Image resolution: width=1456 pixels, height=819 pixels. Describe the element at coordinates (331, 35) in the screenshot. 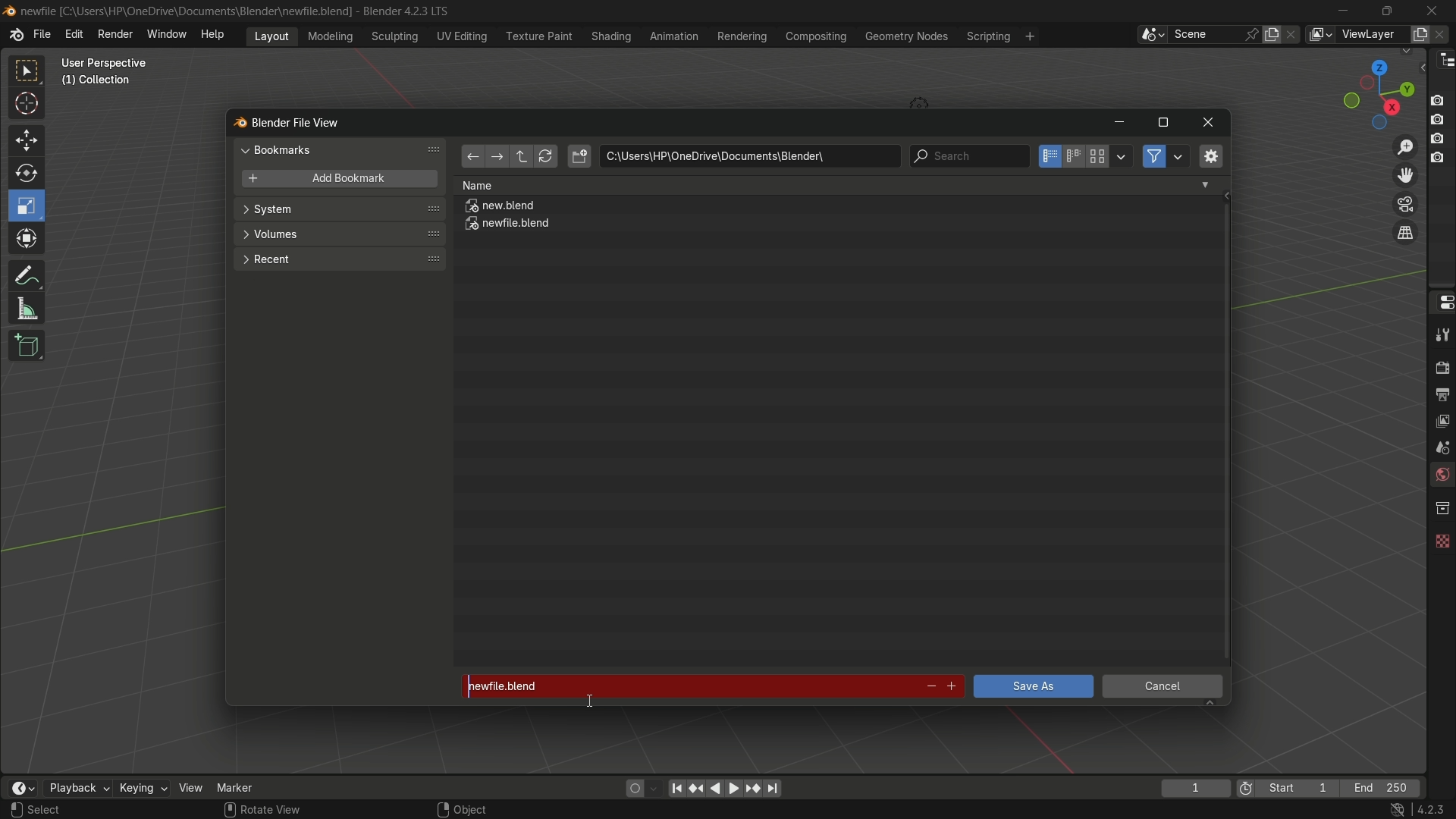

I see `modeling menu` at that location.